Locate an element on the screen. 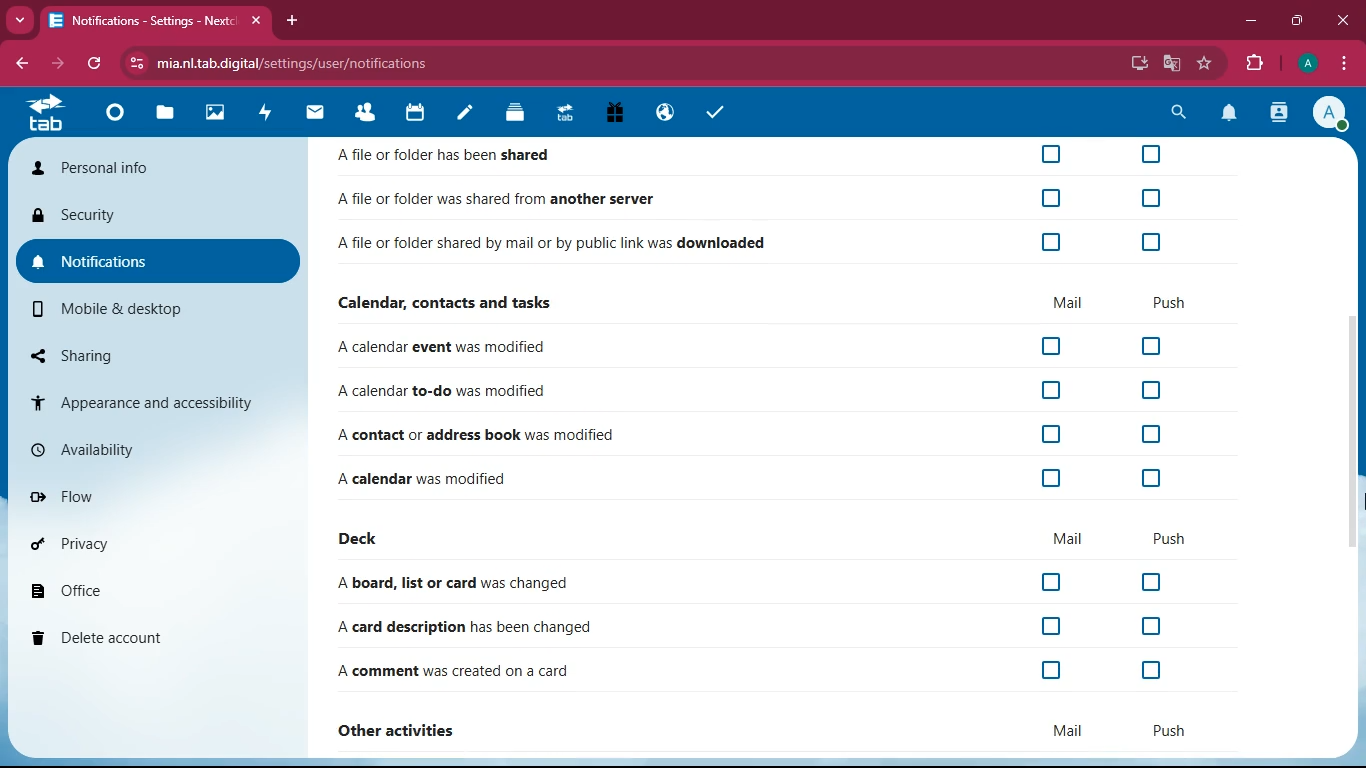 This screenshot has width=1366, height=768. calendar is located at coordinates (415, 115).